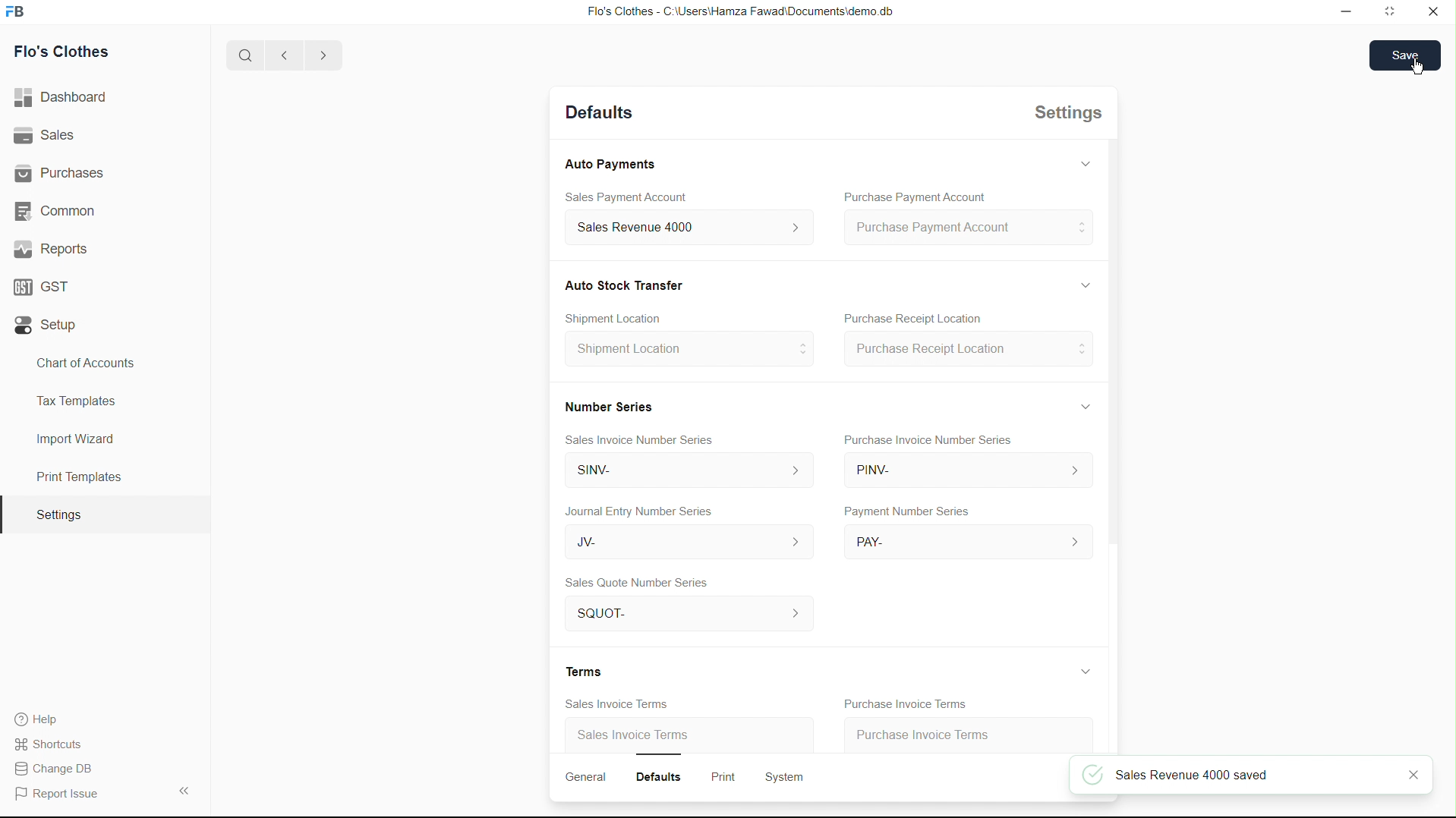 The image size is (1456, 818). Describe the element at coordinates (1343, 12) in the screenshot. I see `Minimize` at that location.